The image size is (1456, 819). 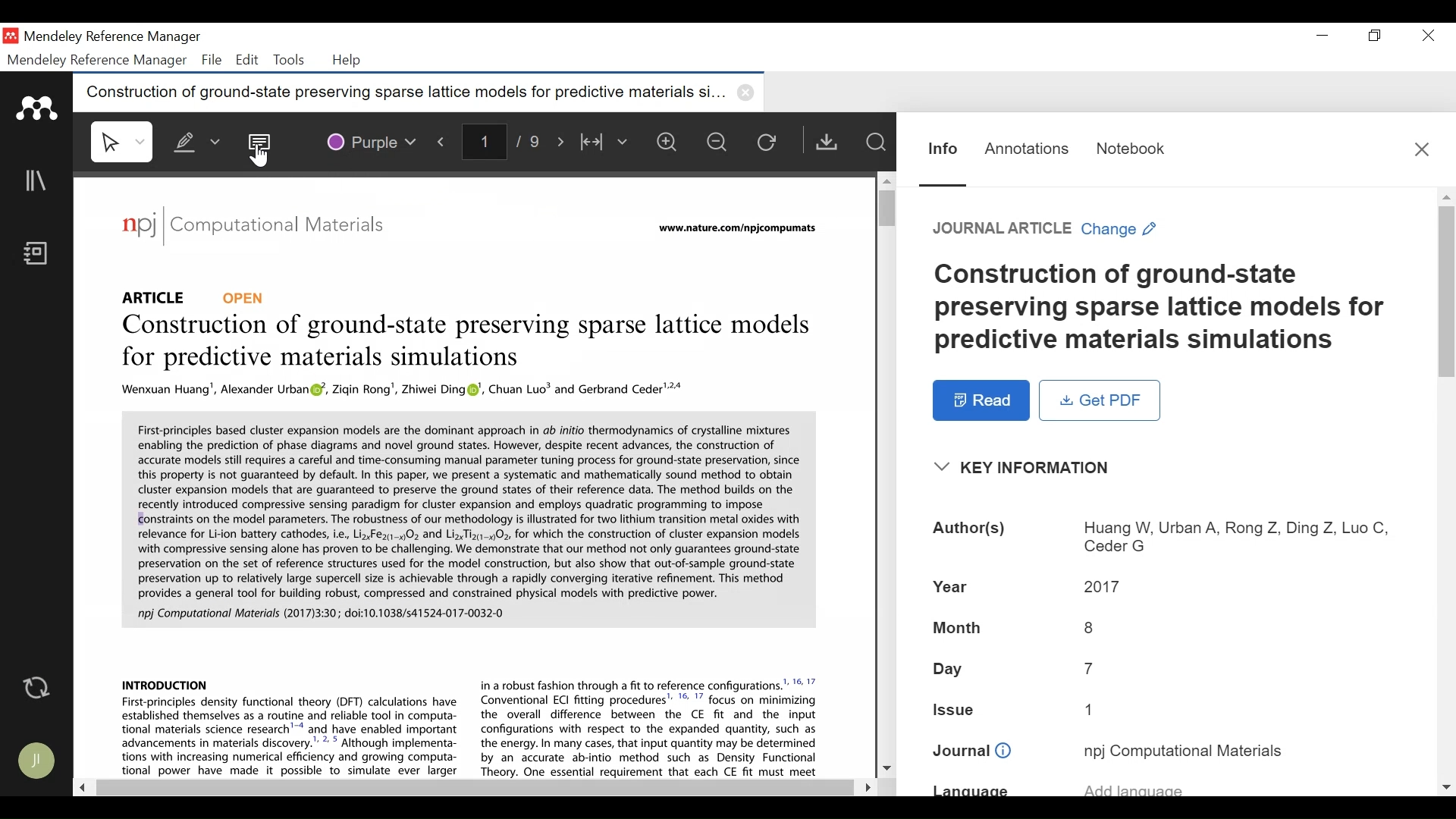 I want to click on OPEN, so click(x=248, y=297).